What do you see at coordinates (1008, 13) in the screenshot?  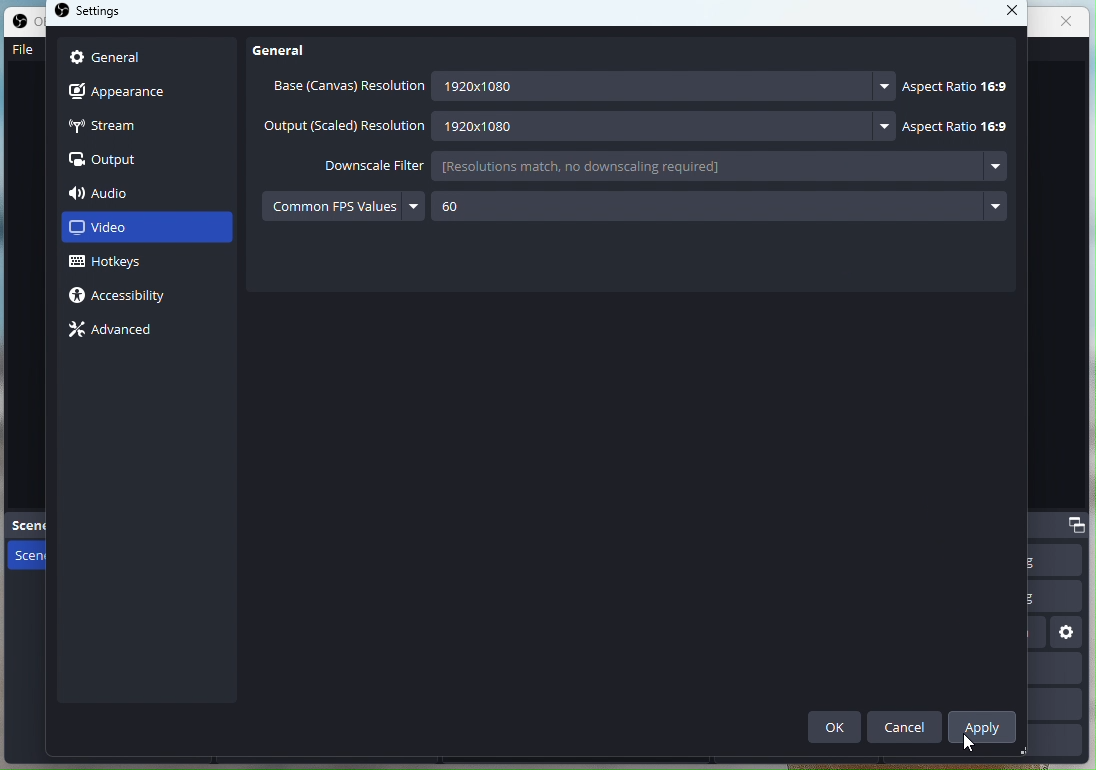 I see `close` at bounding box center [1008, 13].